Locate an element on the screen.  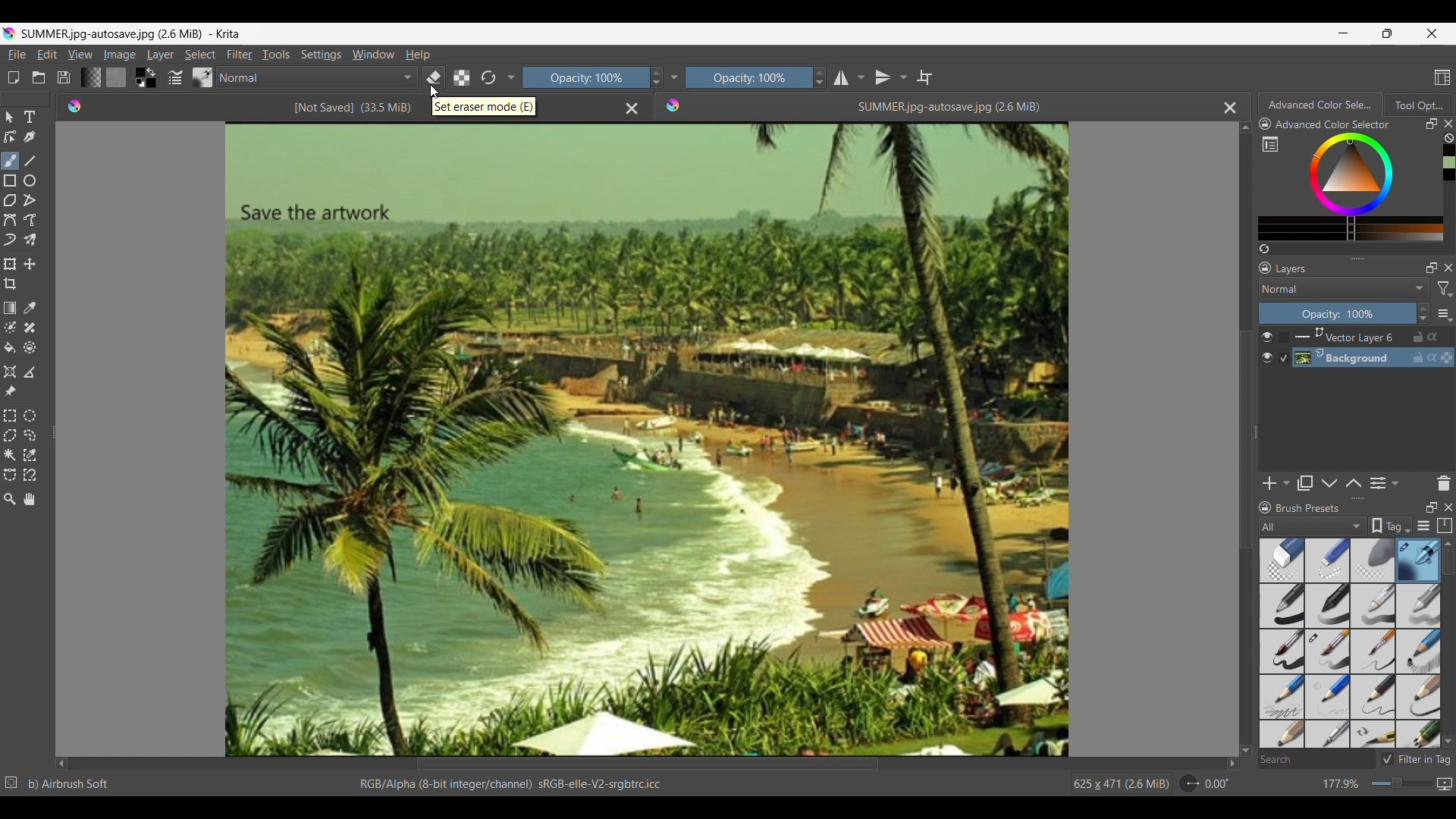
Space for image/artwork is located at coordinates (648, 440).